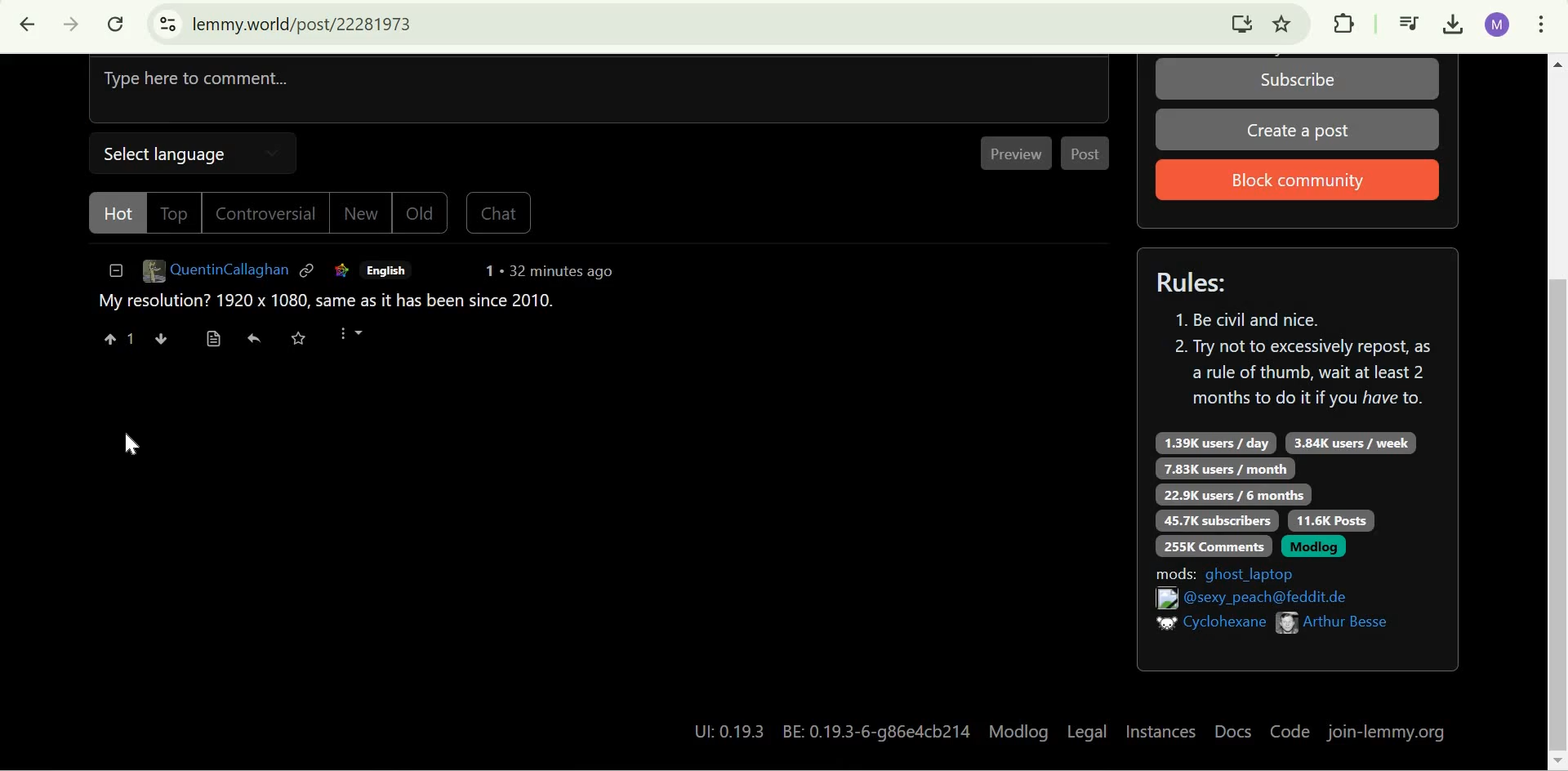 This screenshot has width=1568, height=771. Describe the element at coordinates (345, 273) in the screenshot. I see `link` at that location.